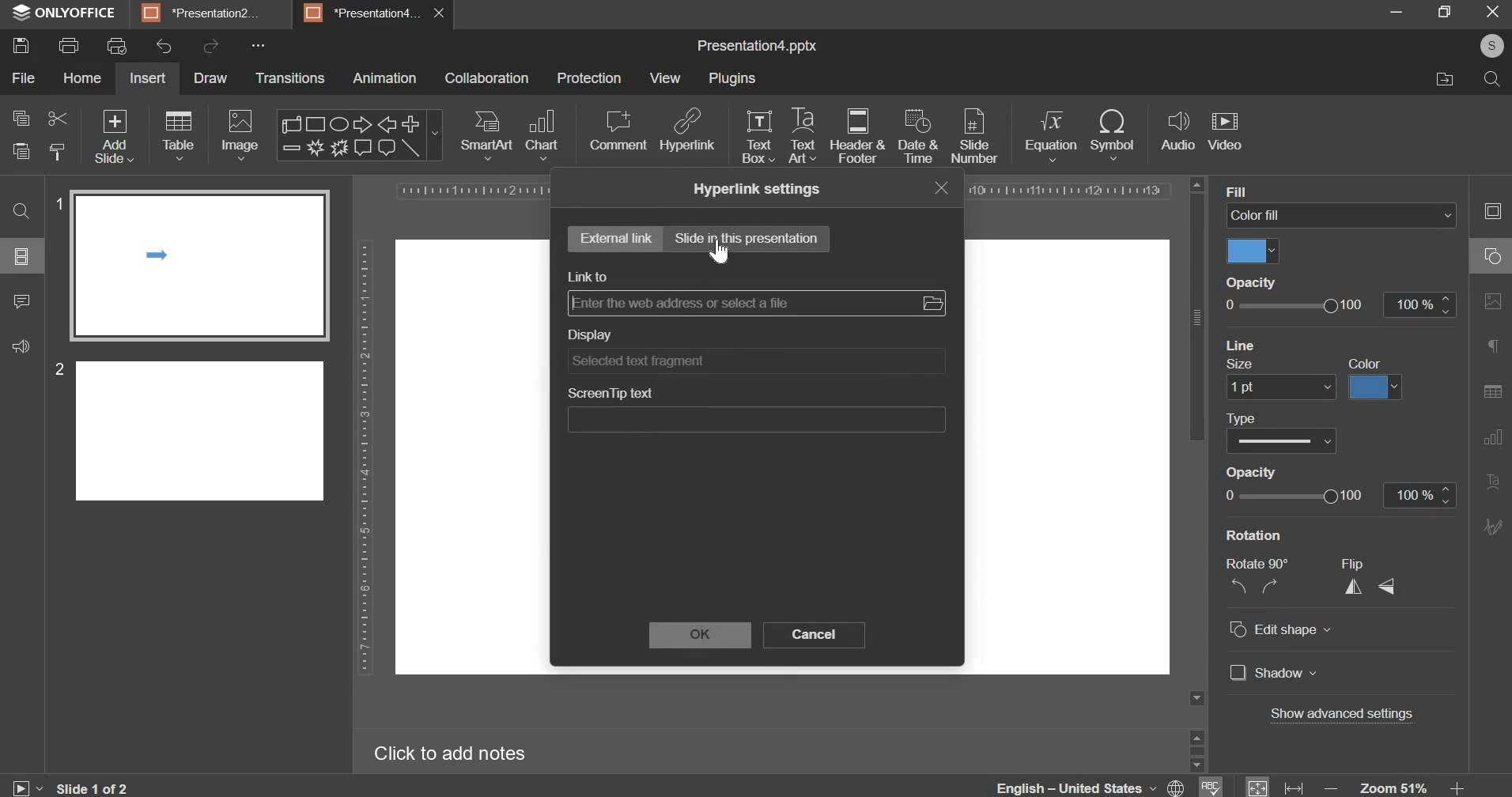 The width and height of the screenshot is (1512, 797). What do you see at coordinates (1209, 780) in the screenshot?
I see `spelling` at bounding box center [1209, 780].